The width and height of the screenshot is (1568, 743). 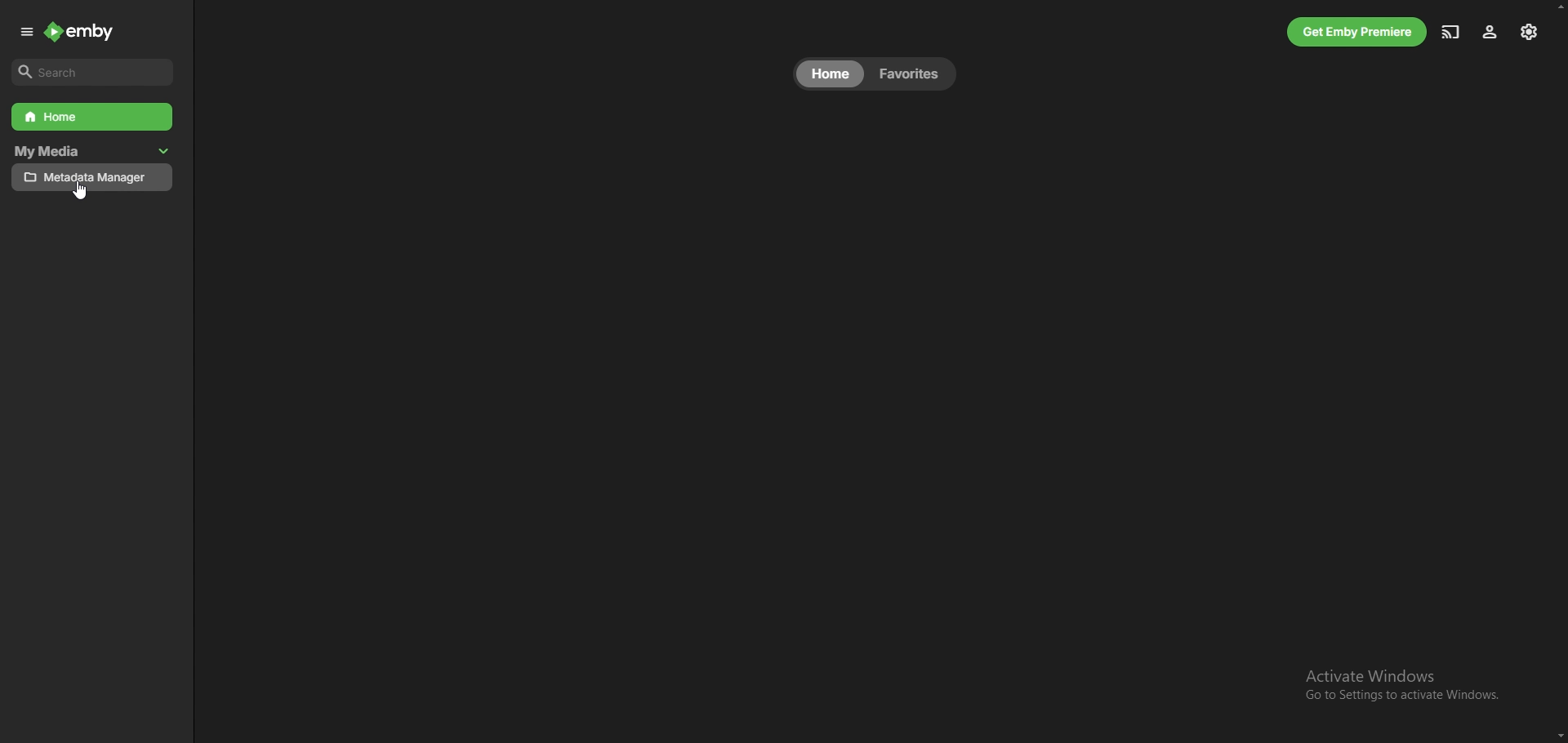 What do you see at coordinates (1490, 33) in the screenshot?
I see `profile` at bounding box center [1490, 33].